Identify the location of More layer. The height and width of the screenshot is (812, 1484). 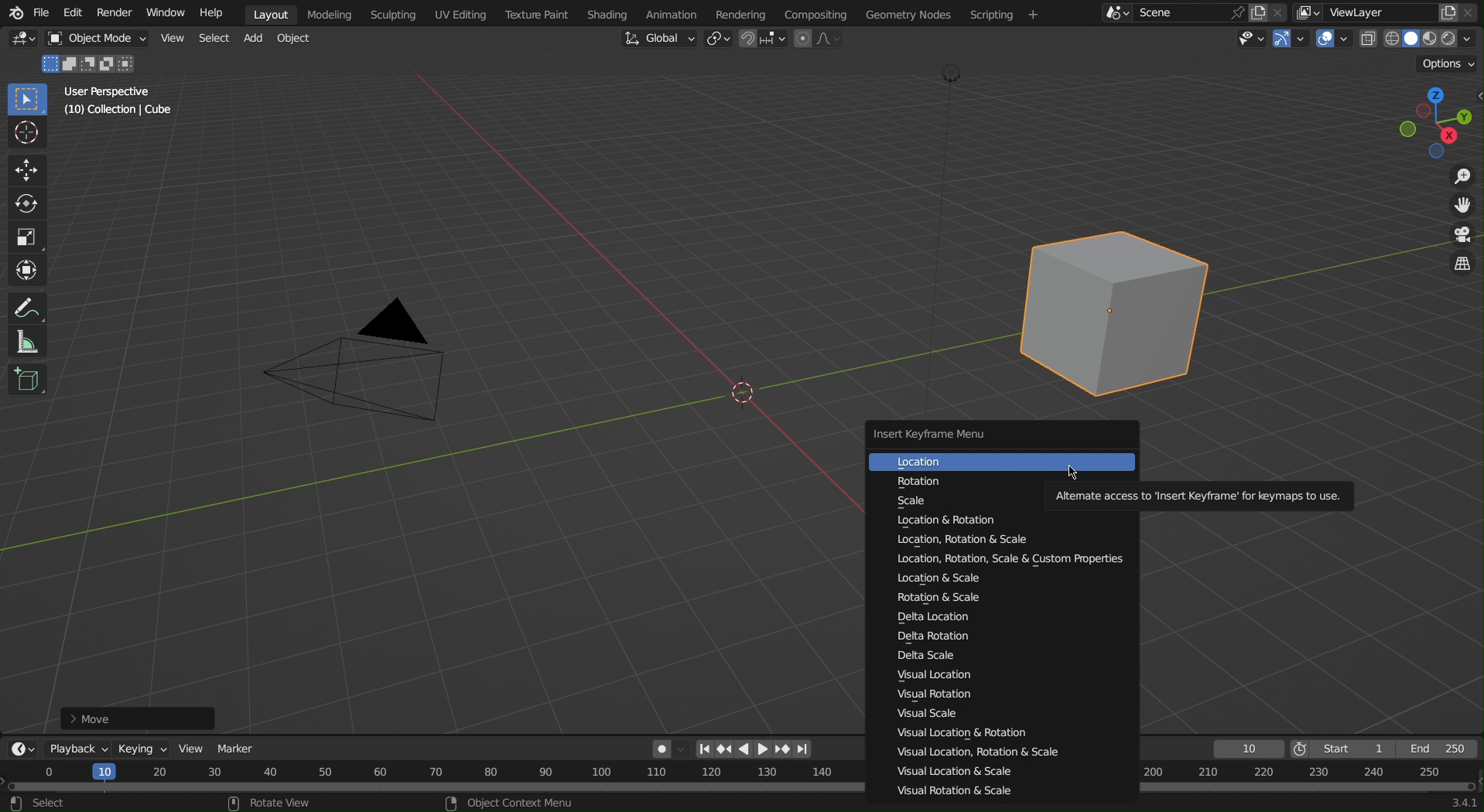
(1308, 13).